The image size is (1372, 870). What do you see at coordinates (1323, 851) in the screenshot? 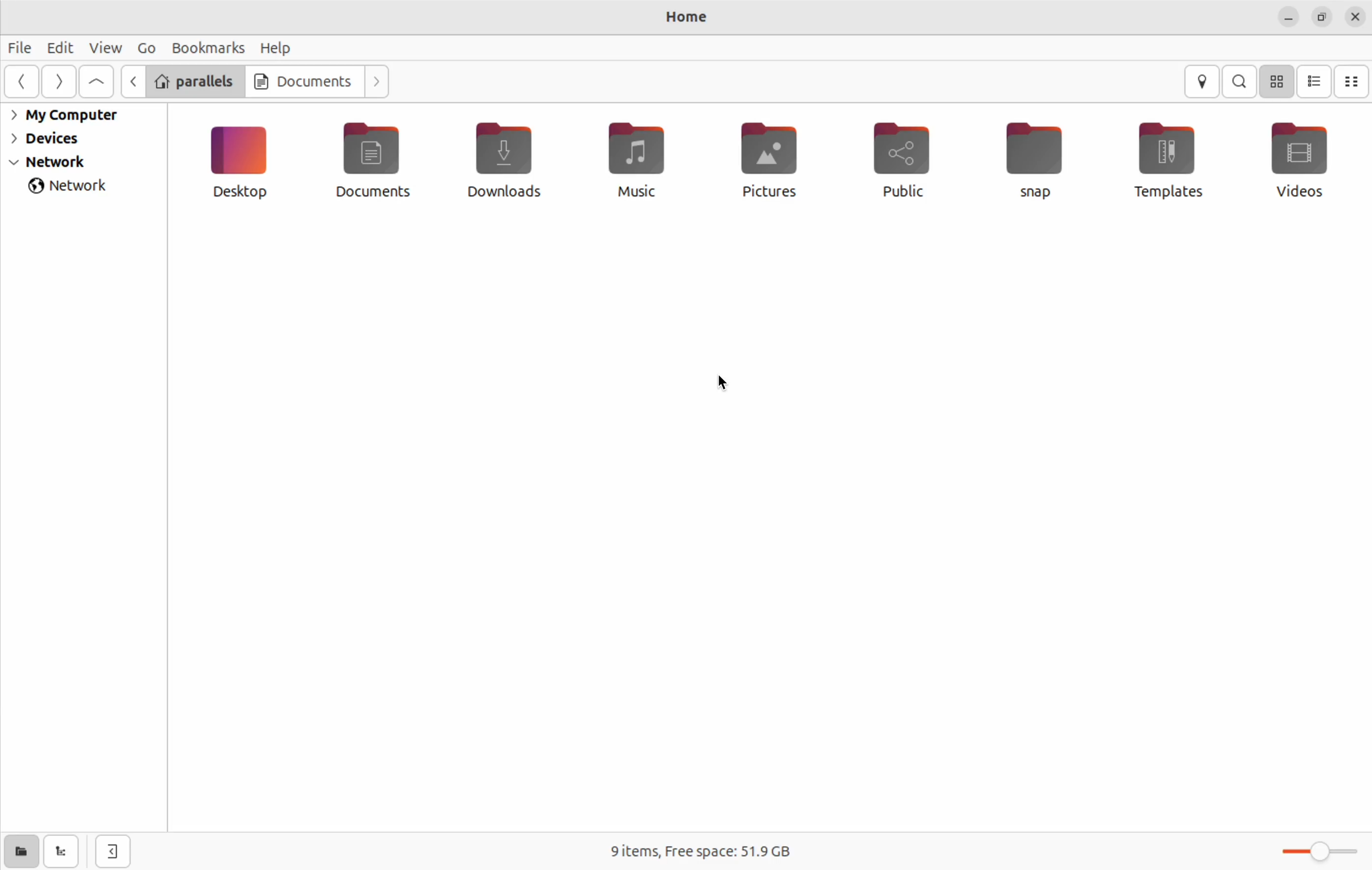
I see `slider` at bounding box center [1323, 851].